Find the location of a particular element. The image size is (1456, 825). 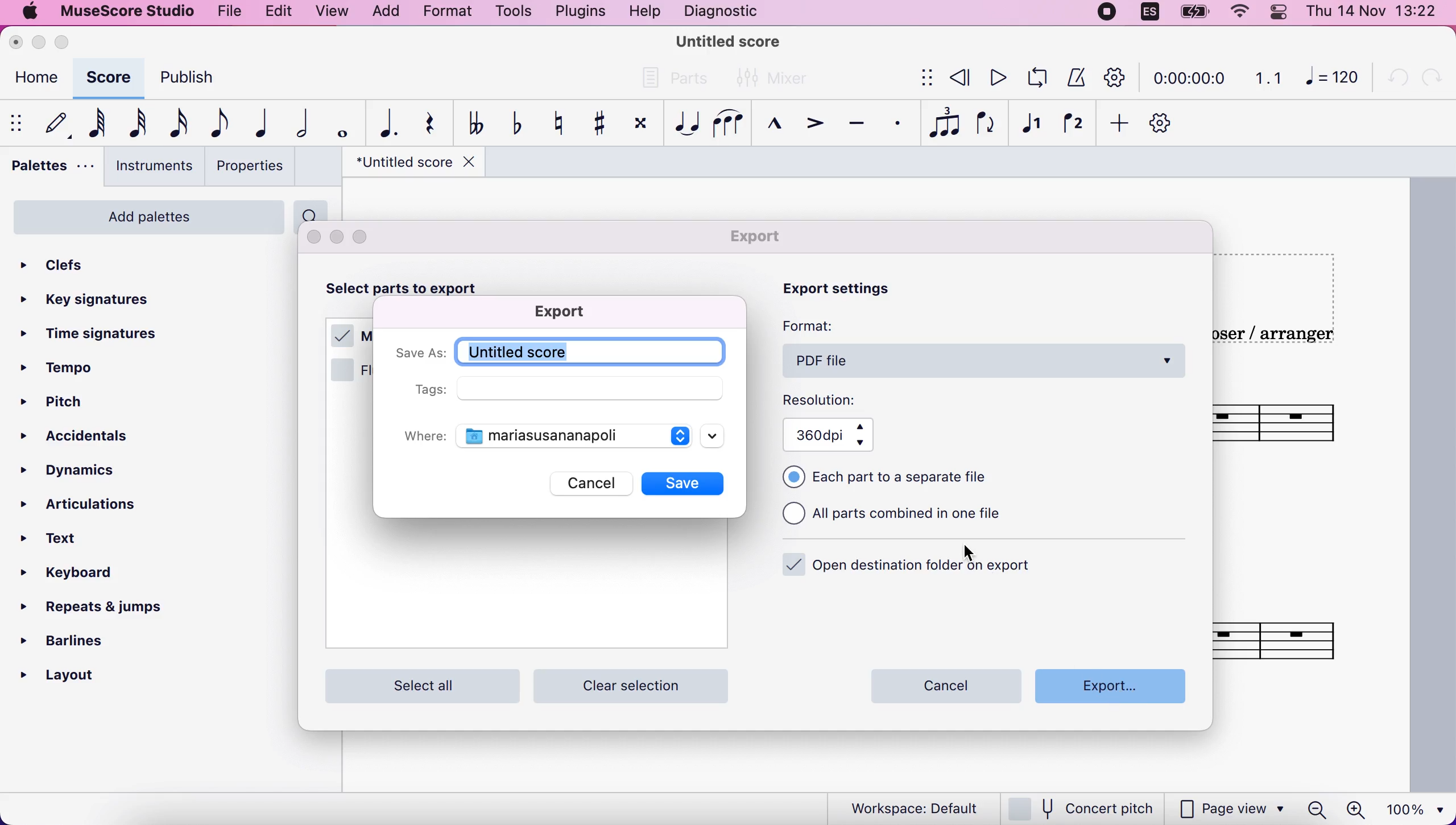

accidentals is located at coordinates (84, 442).